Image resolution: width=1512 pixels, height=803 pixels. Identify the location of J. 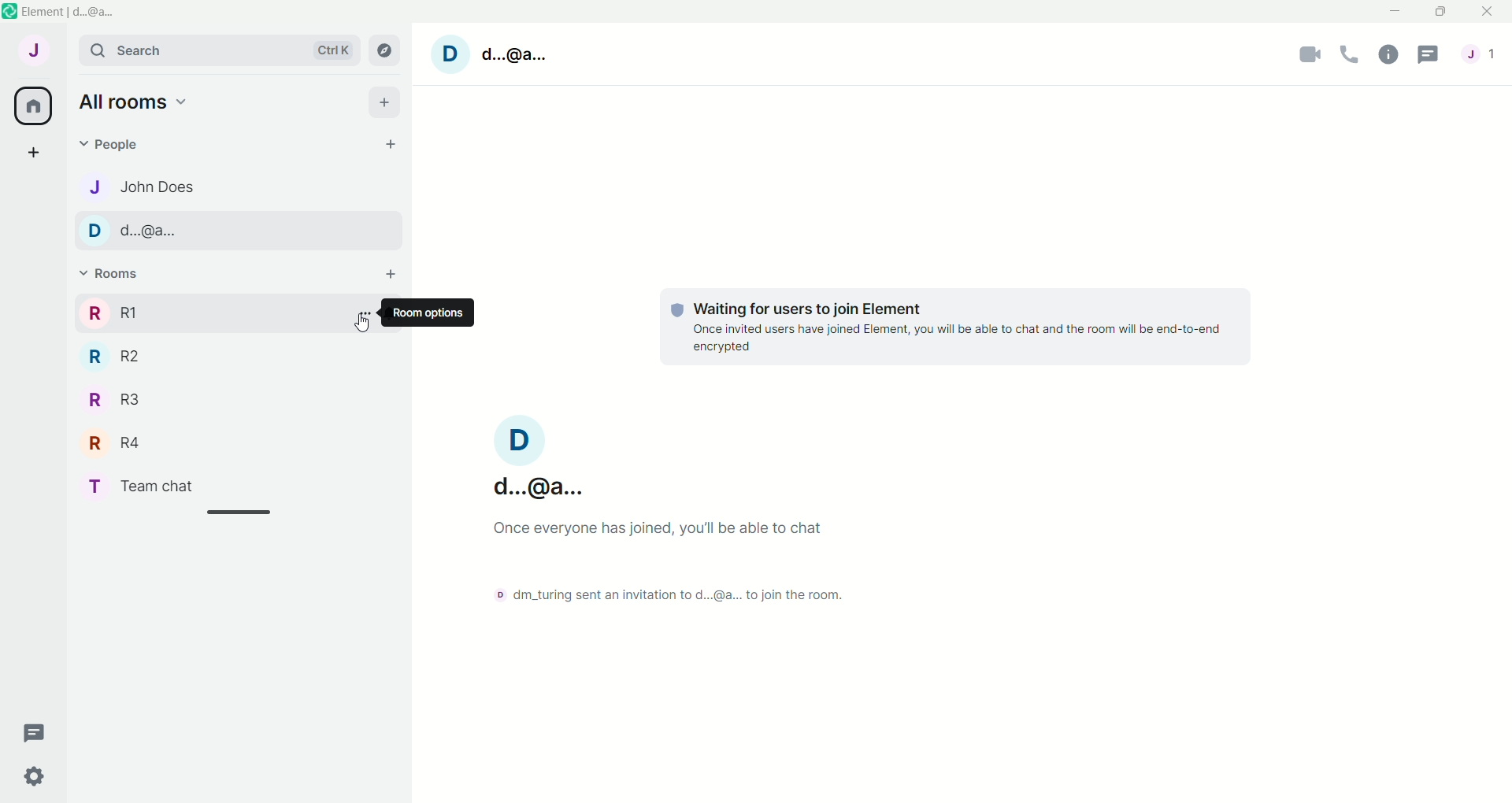
(31, 50).